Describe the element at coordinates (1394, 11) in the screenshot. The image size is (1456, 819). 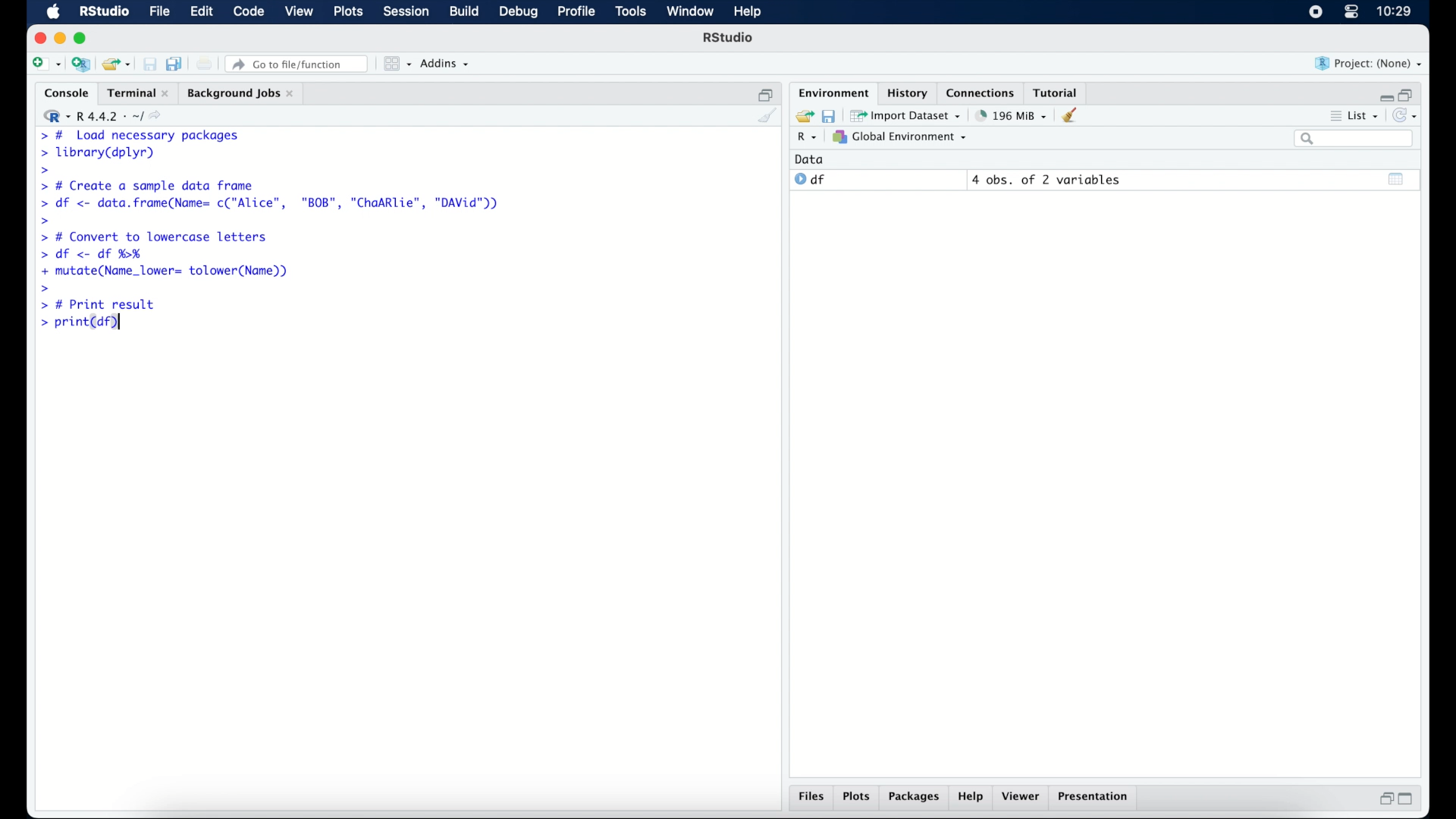
I see `10.27` at that location.